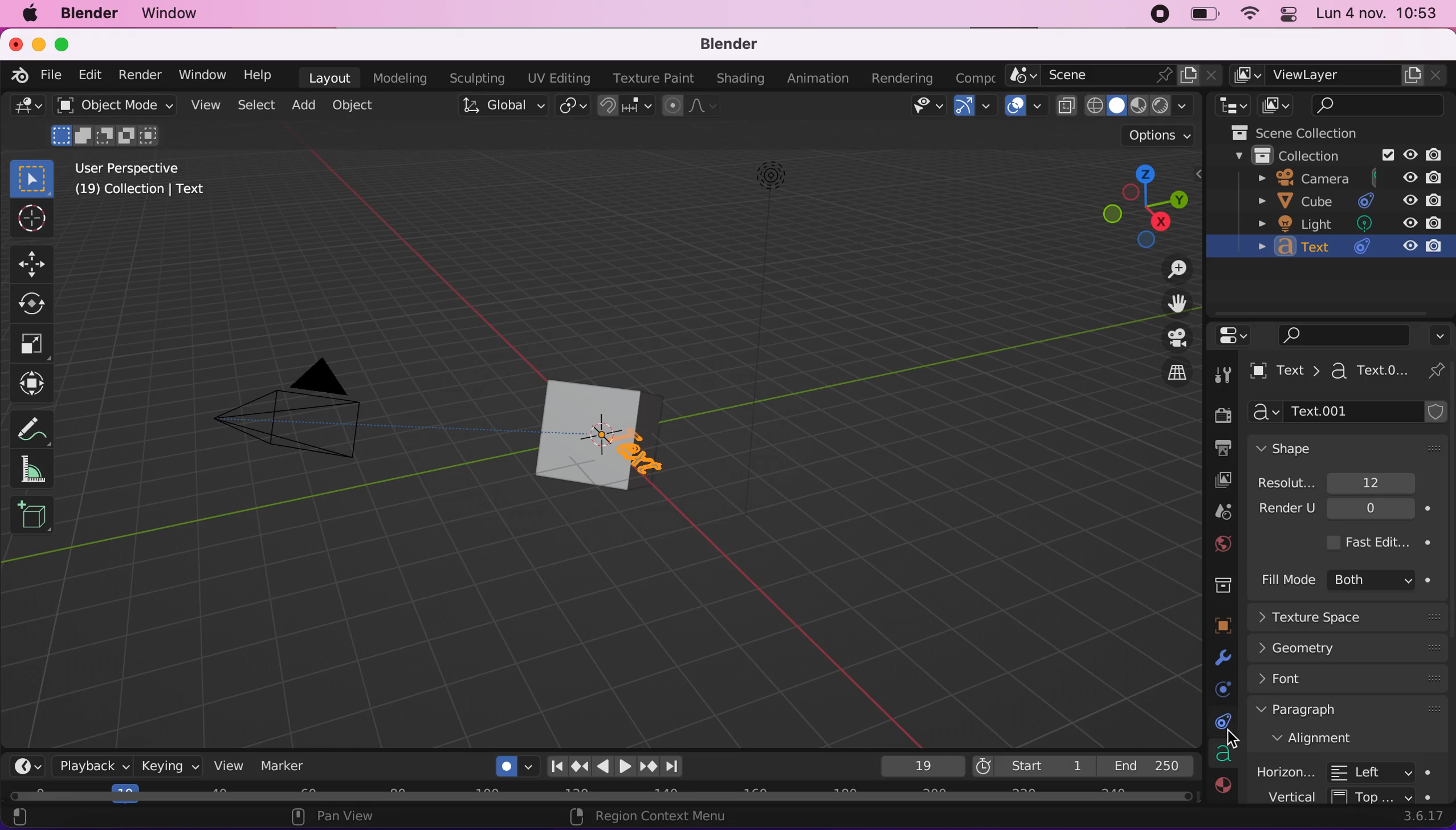 The image size is (1456, 830). Describe the element at coordinates (283, 766) in the screenshot. I see `marker` at that location.